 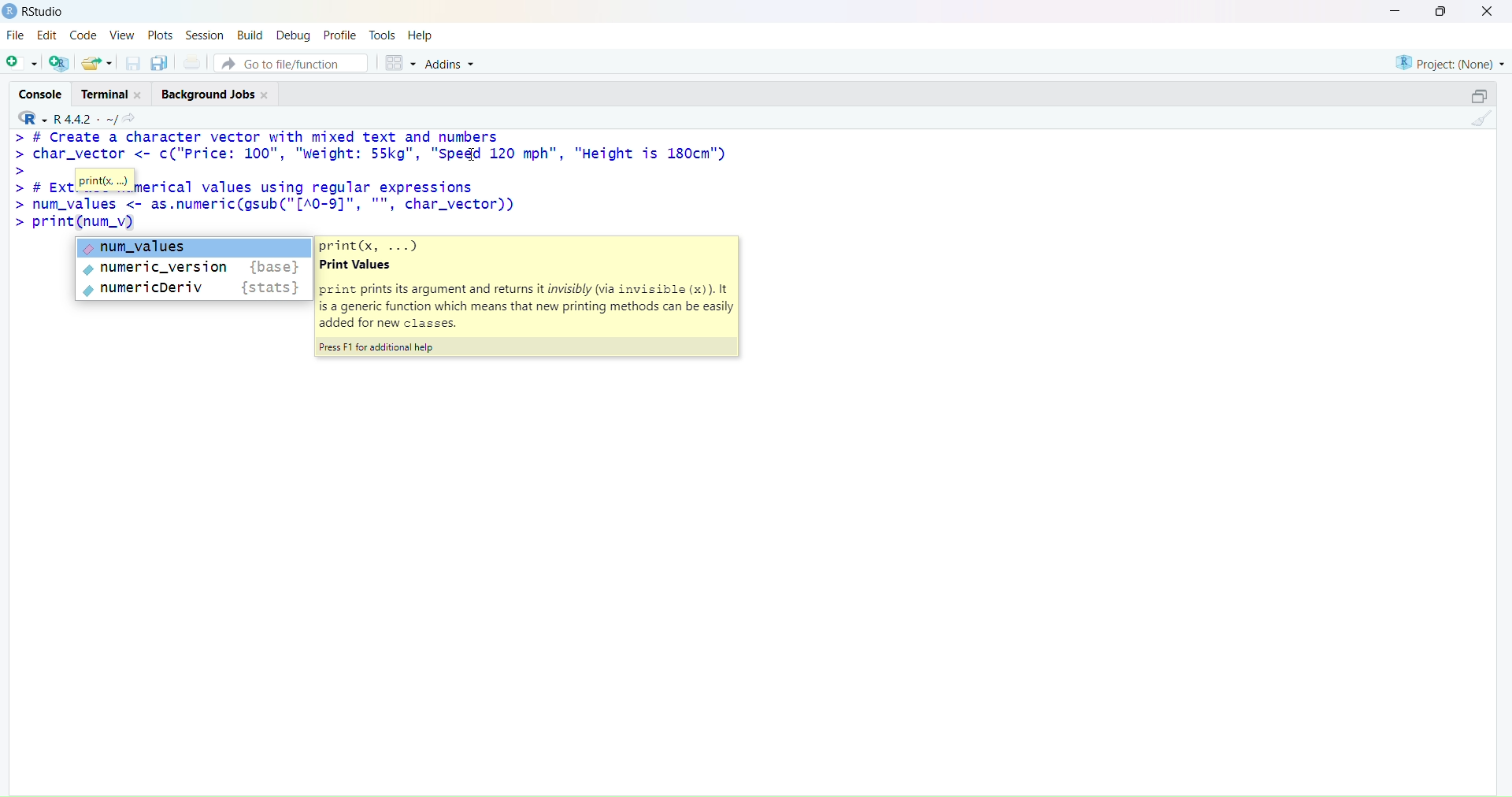 I want to click on grid view, so click(x=401, y=63).